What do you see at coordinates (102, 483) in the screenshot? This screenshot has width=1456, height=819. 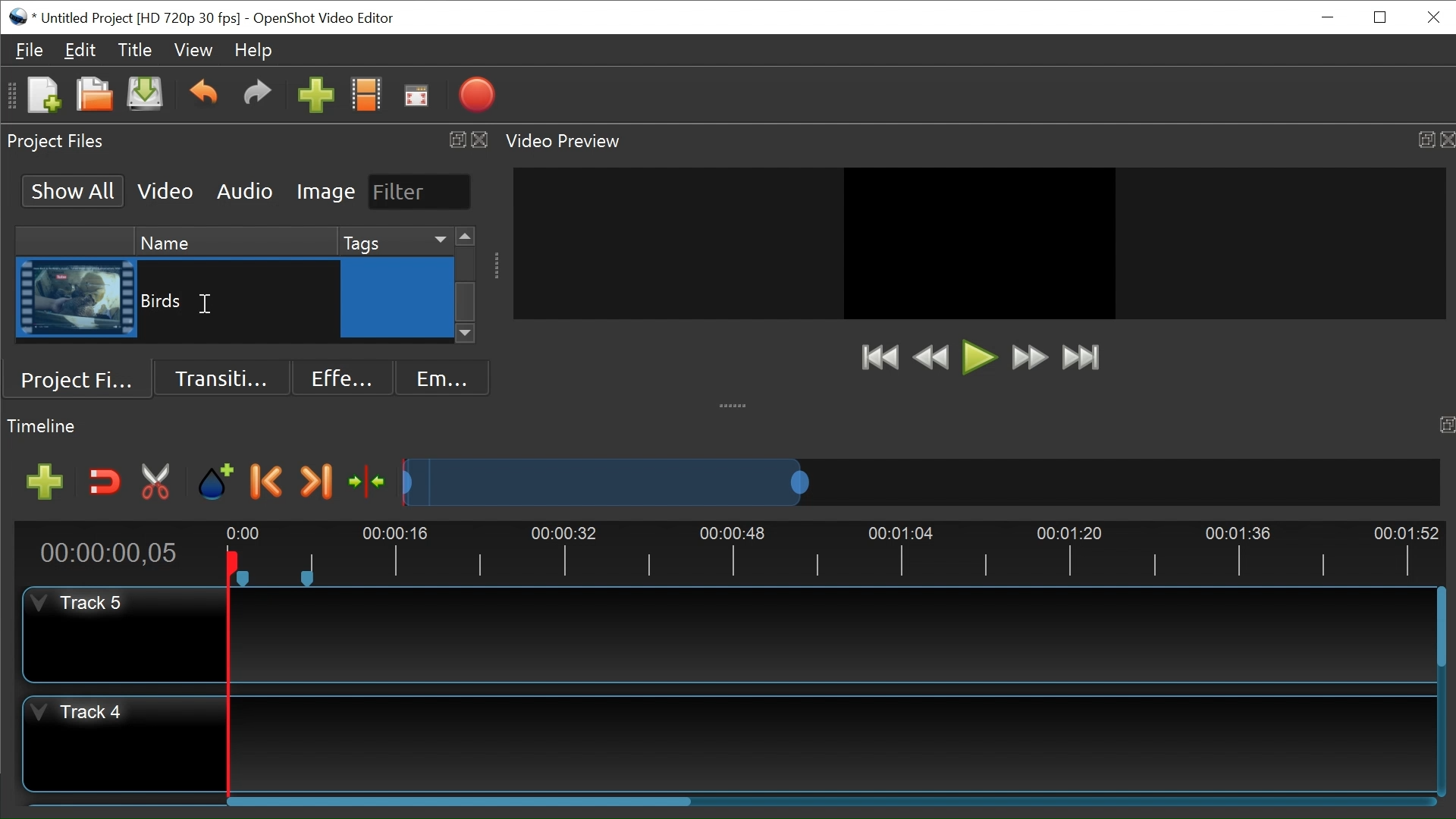 I see `Snap` at bounding box center [102, 483].